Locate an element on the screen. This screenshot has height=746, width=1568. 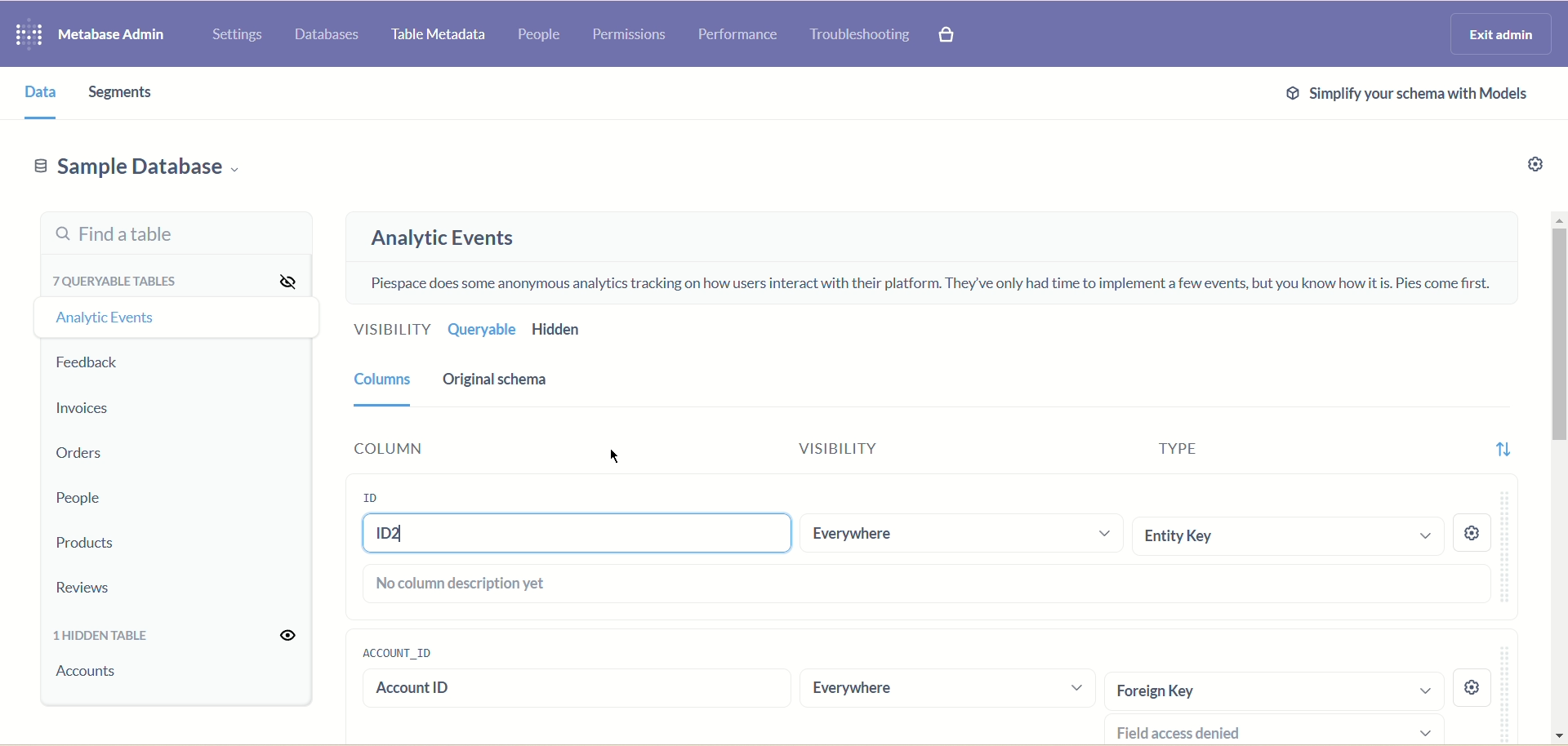
Reviews is located at coordinates (106, 584).